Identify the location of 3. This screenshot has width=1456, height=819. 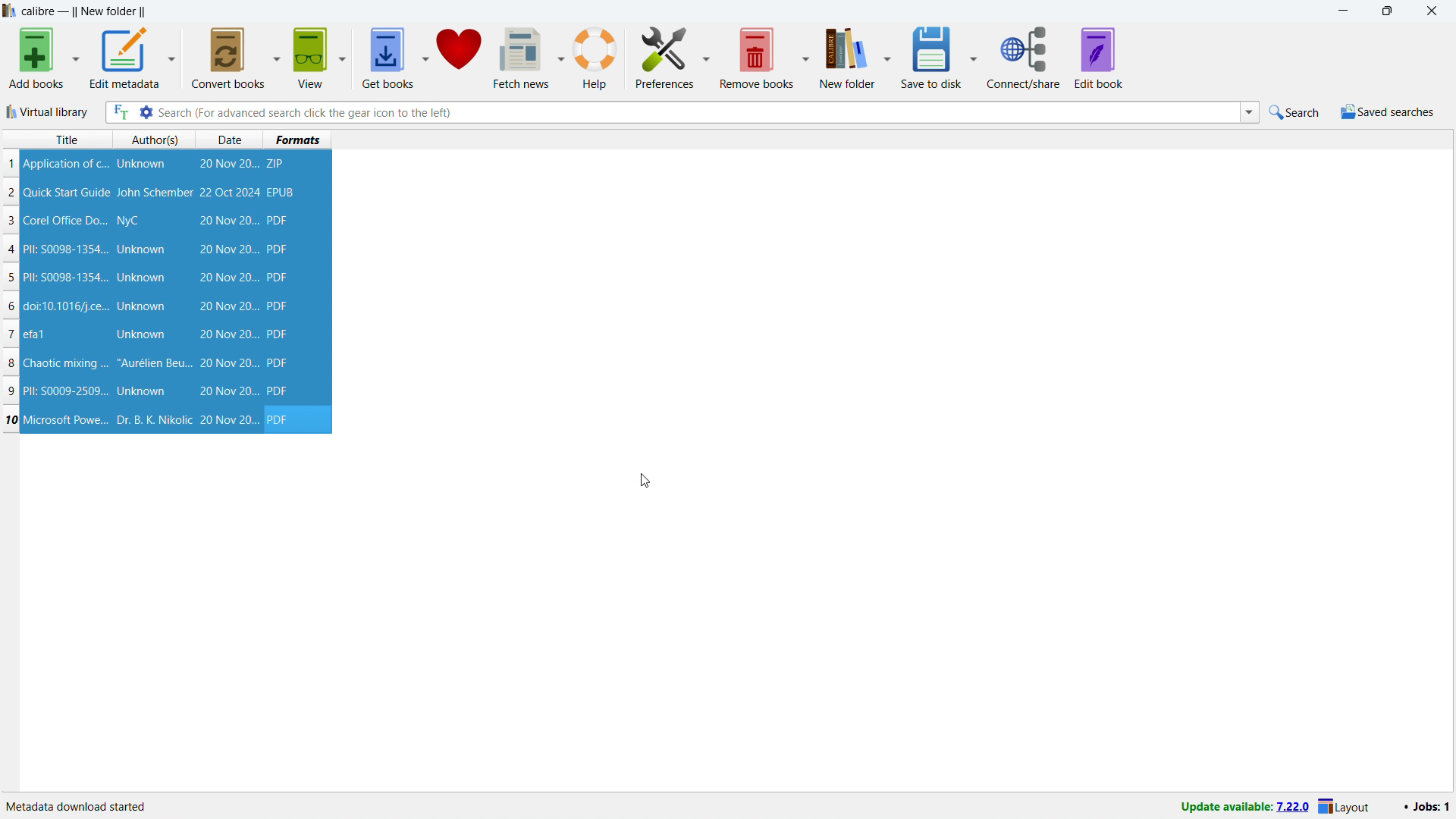
(11, 221).